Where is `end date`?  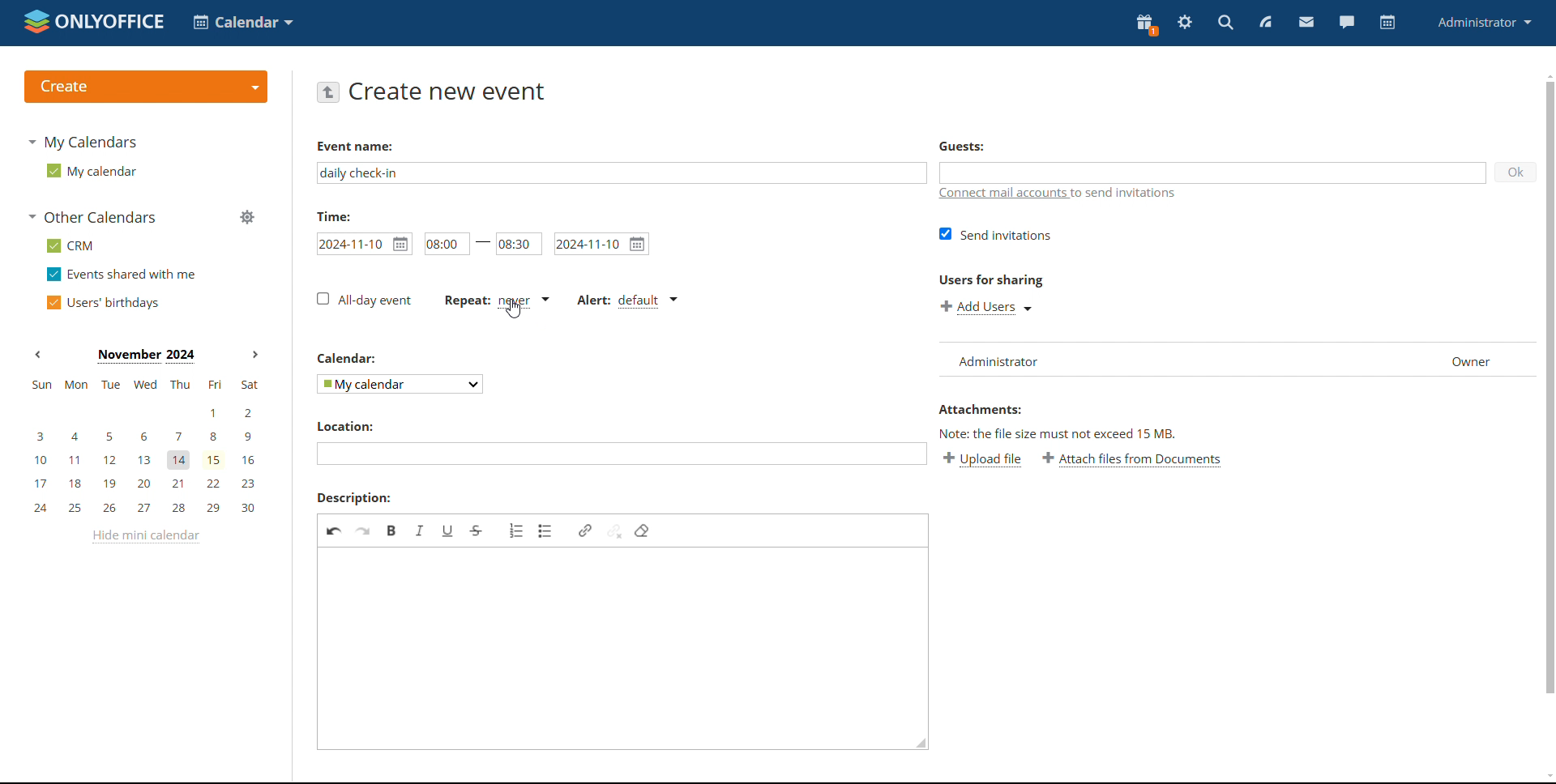 end date is located at coordinates (601, 244).